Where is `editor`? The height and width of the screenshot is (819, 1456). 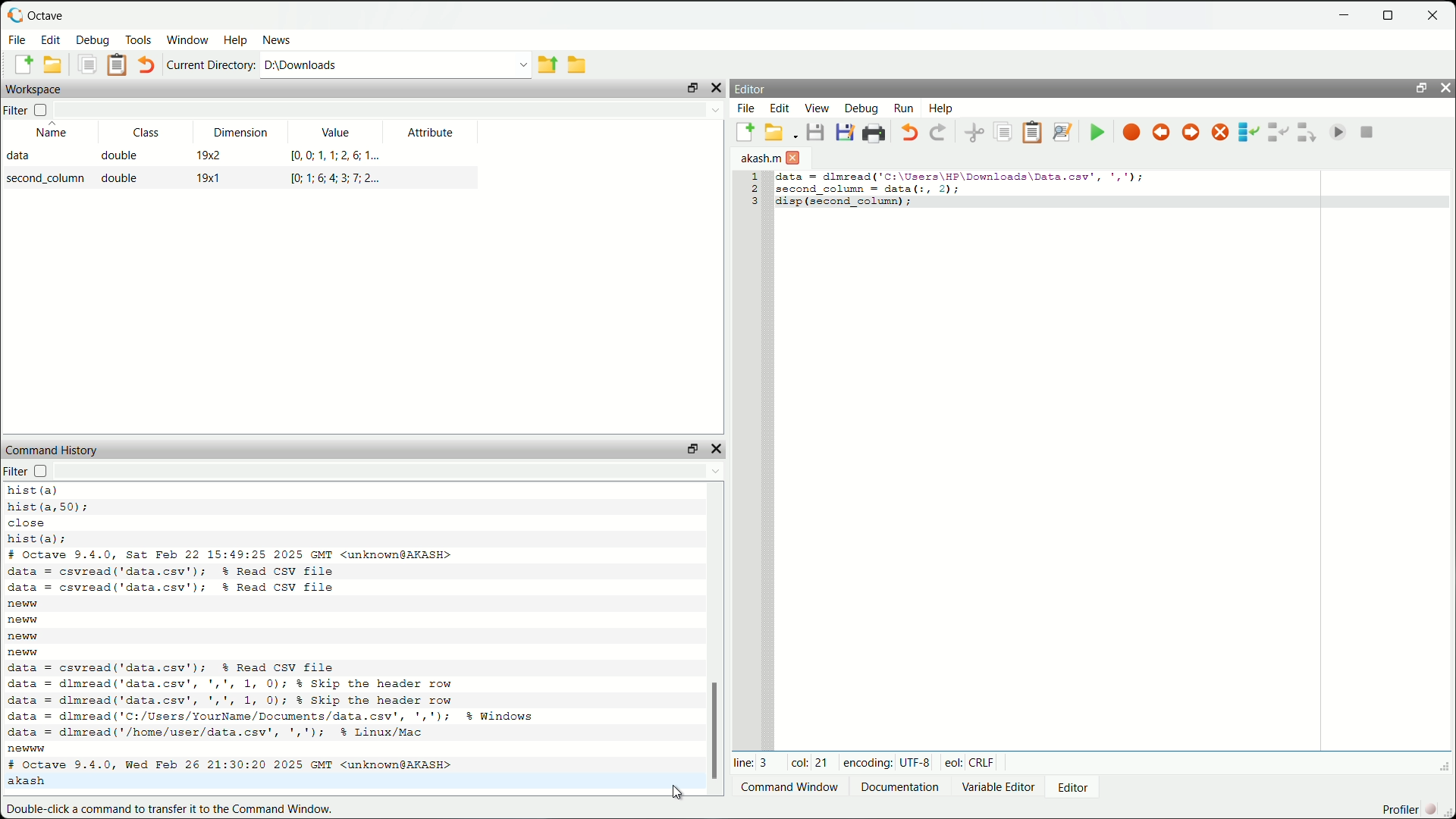 editor is located at coordinates (753, 87).